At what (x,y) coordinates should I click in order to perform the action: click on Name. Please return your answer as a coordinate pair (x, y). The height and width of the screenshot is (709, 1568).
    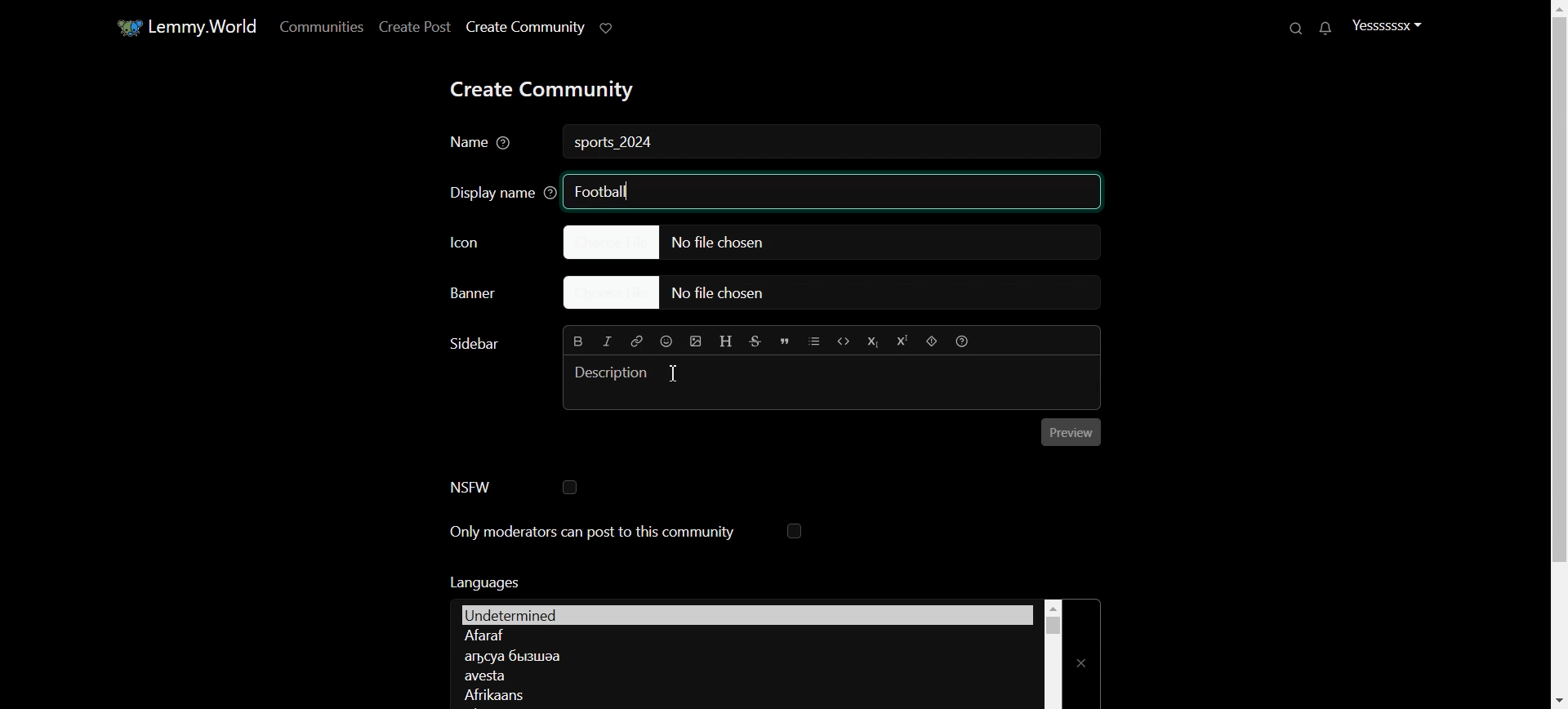
    Looking at the image, I should click on (483, 144).